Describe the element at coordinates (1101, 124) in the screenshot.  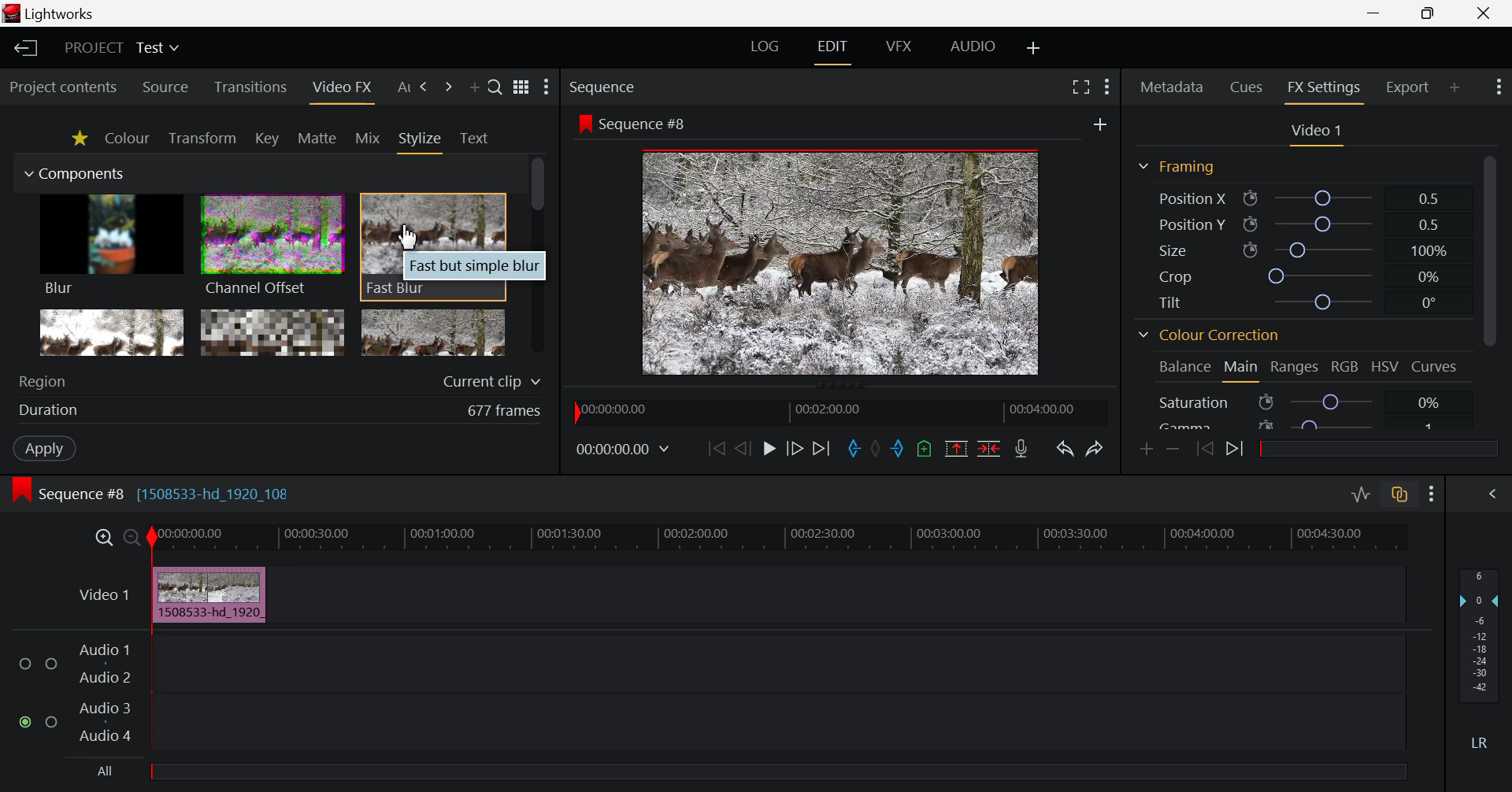
I see `Add` at that location.